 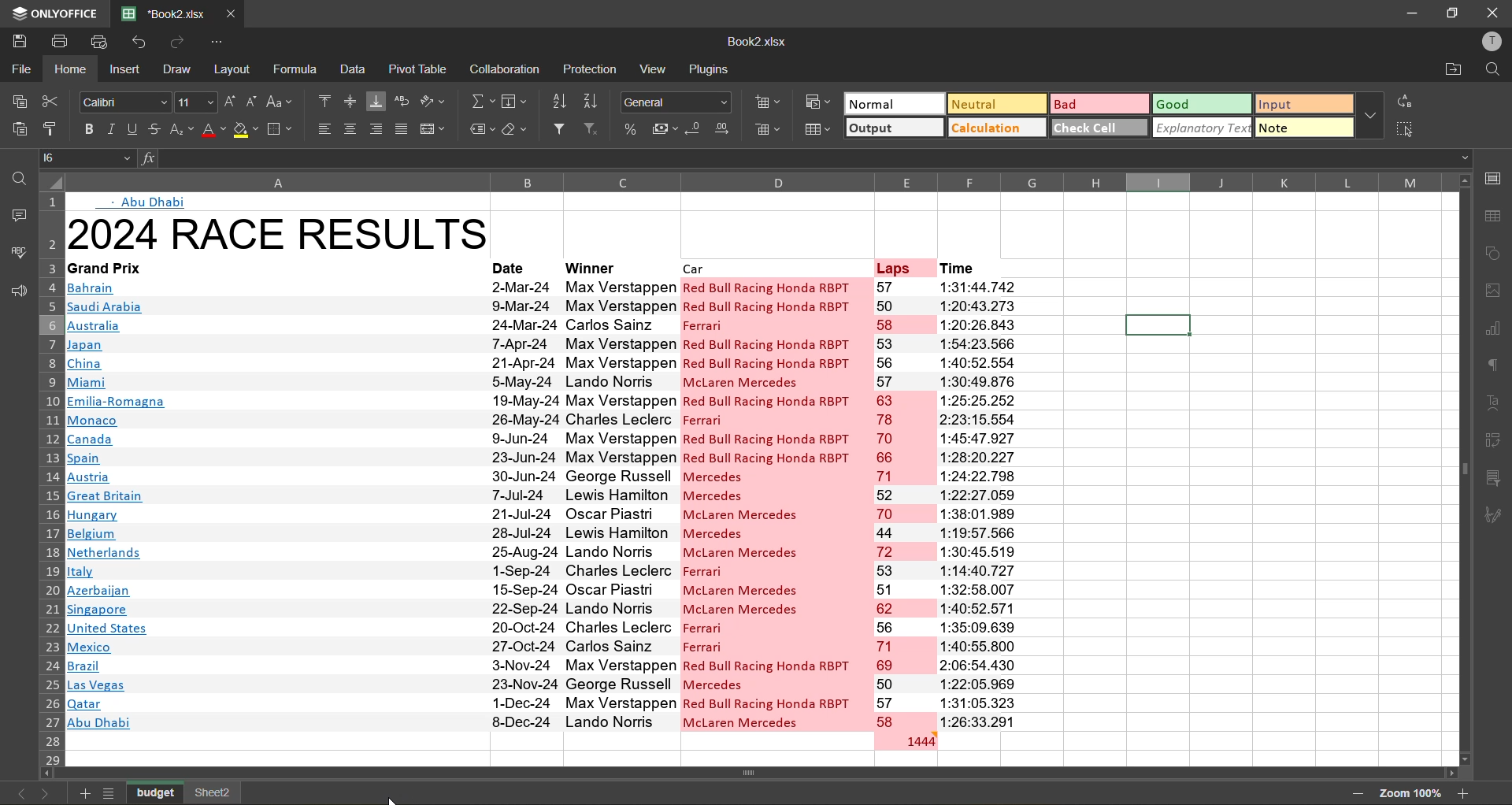 I want to click on font color, so click(x=212, y=130).